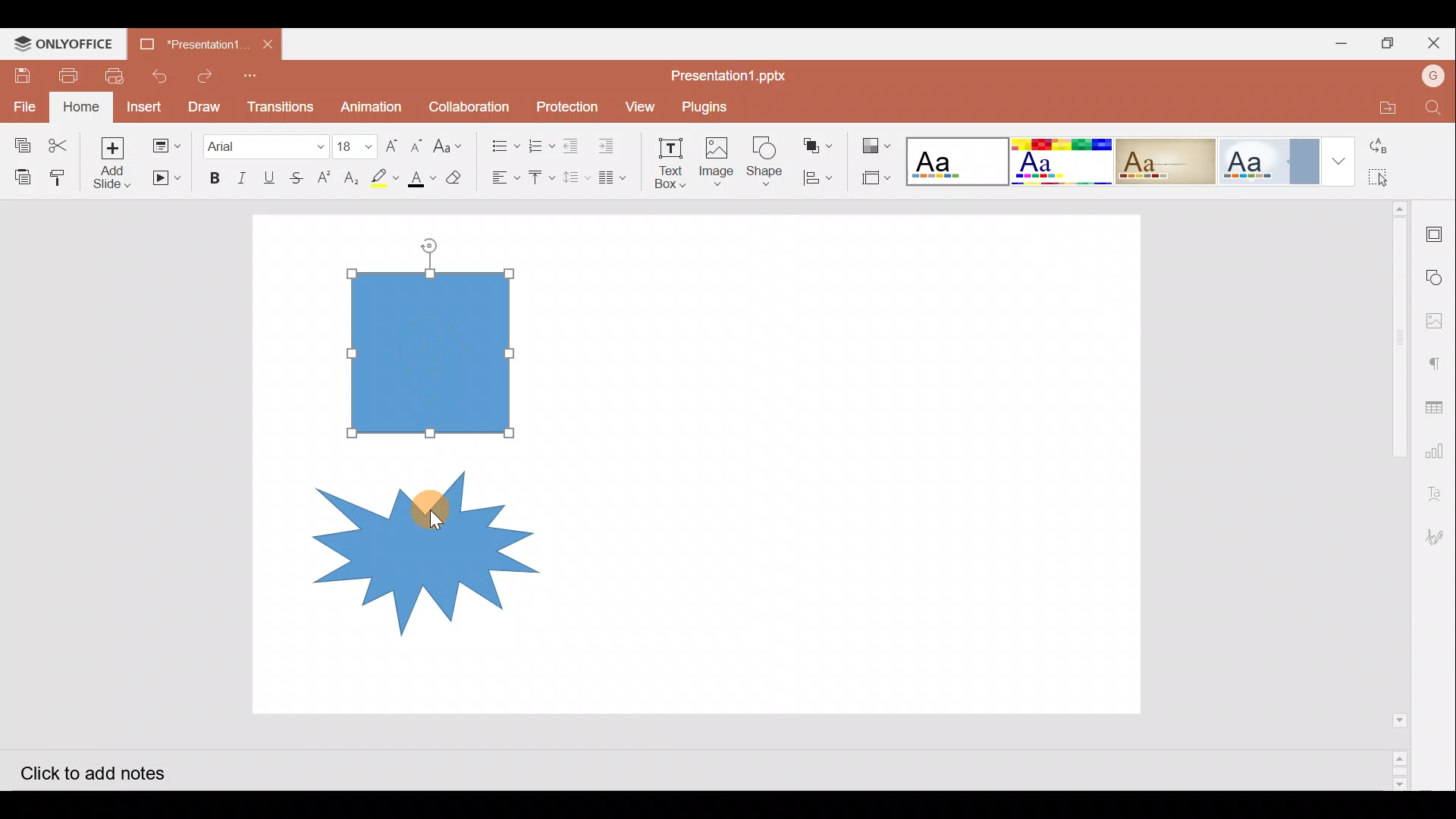 This screenshot has width=1456, height=819. I want to click on Find, so click(1434, 108).